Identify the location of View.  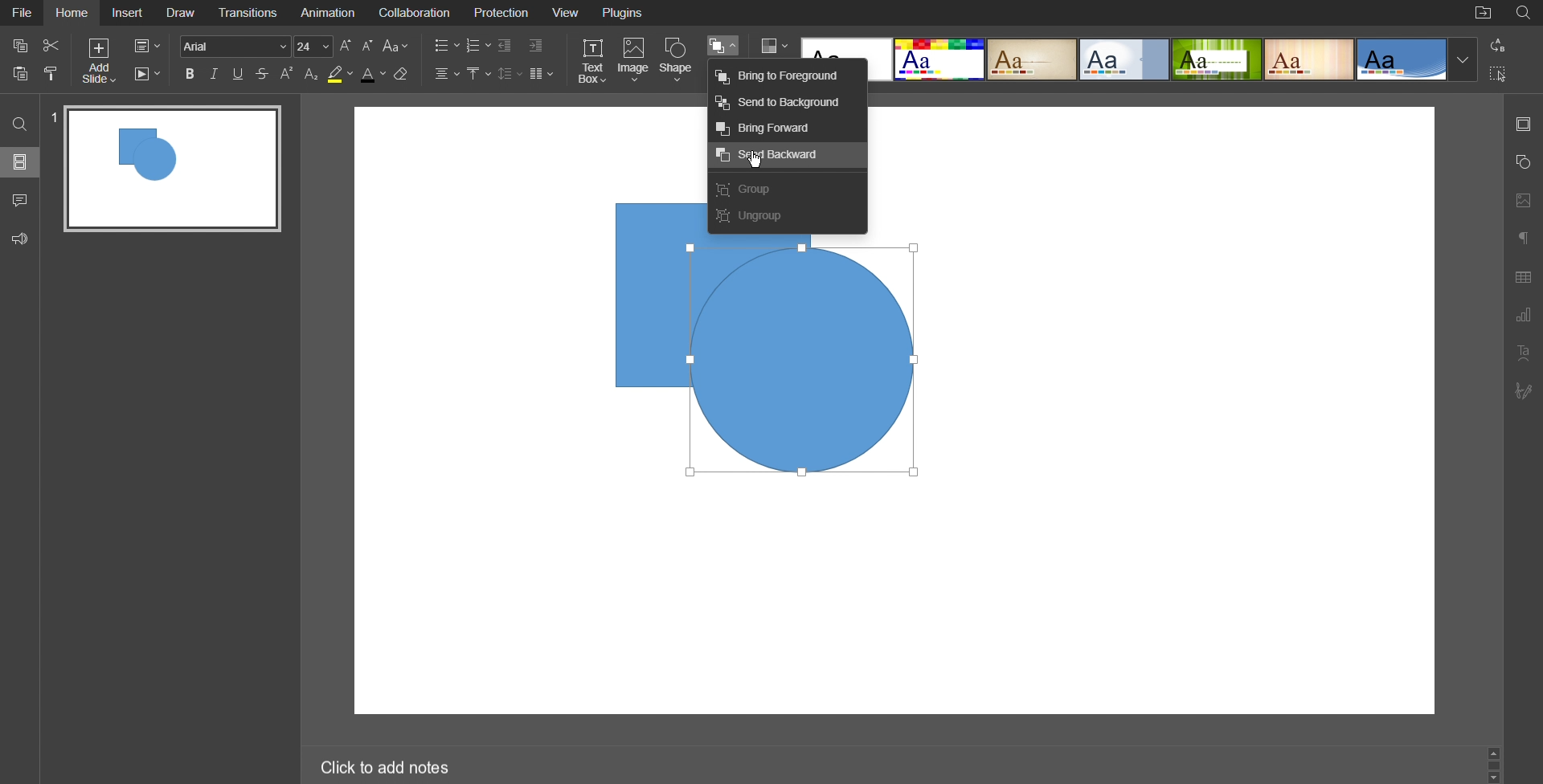
(564, 13).